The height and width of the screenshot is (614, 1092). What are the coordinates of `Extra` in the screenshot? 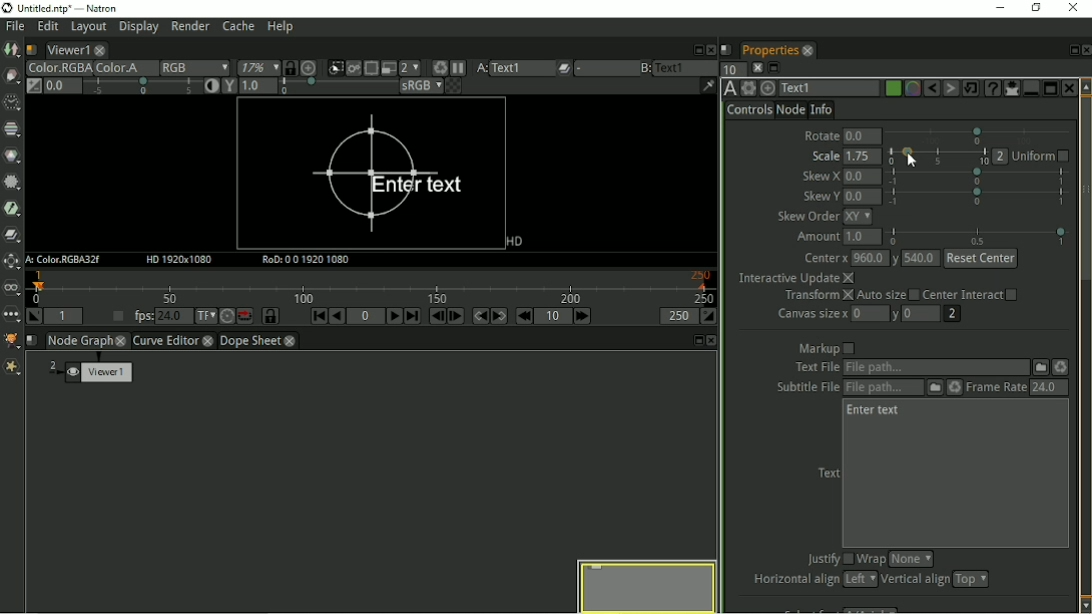 It's located at (11, 370).